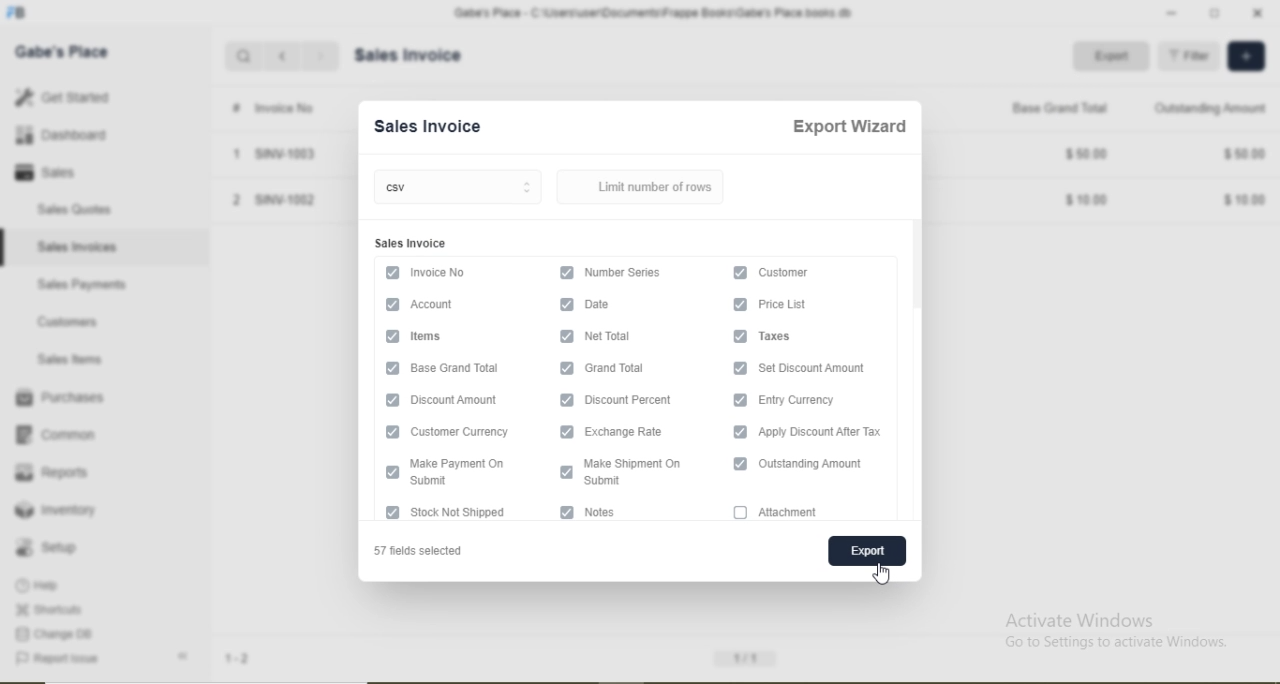  What do you see at coordinates (58, 172) in the screenshot?
I see `Sales` at bounding box center [58, 172].